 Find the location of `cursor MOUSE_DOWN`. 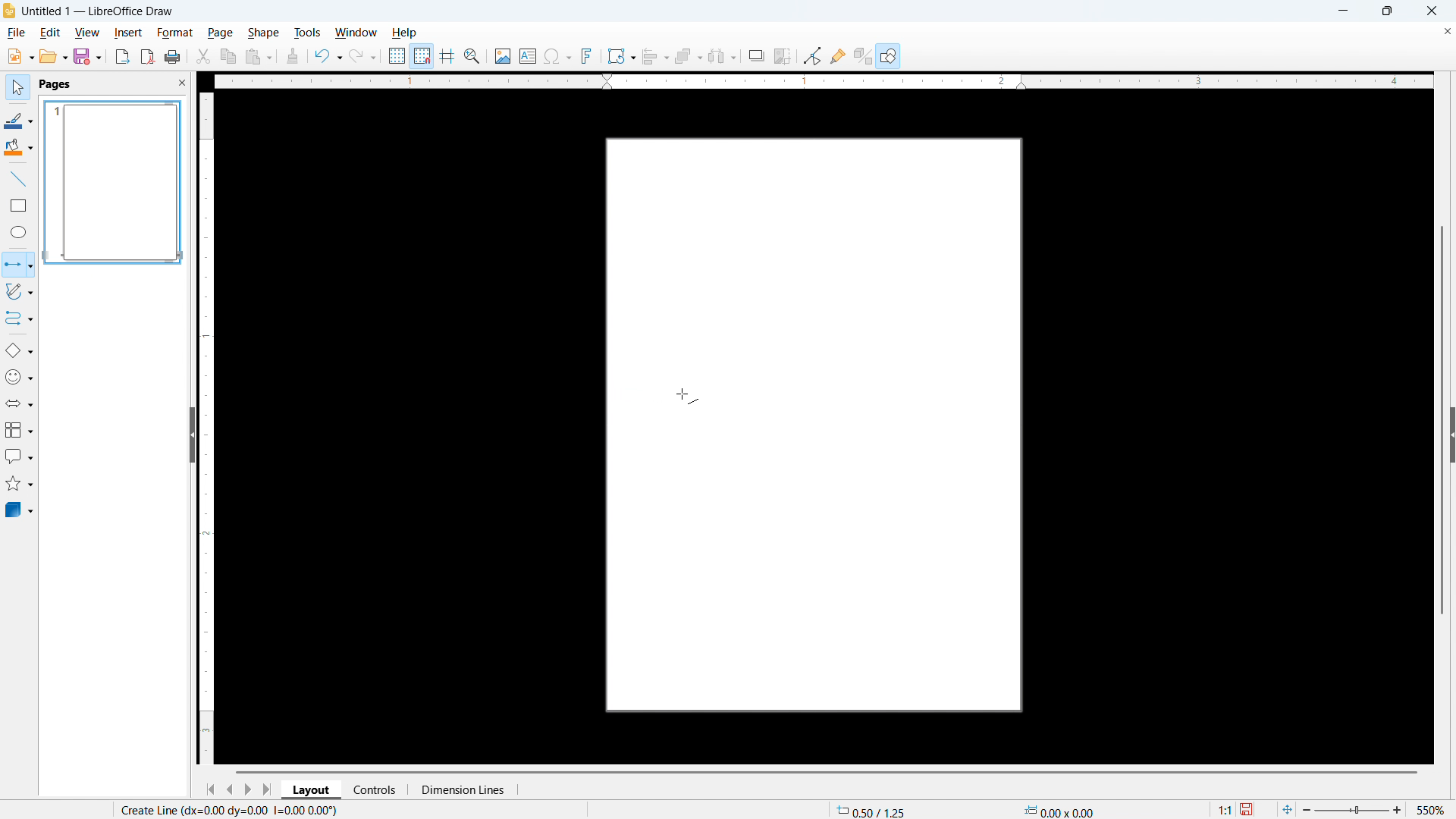

cursor MOUSE_DOWN is located at coordinates (692, 393).